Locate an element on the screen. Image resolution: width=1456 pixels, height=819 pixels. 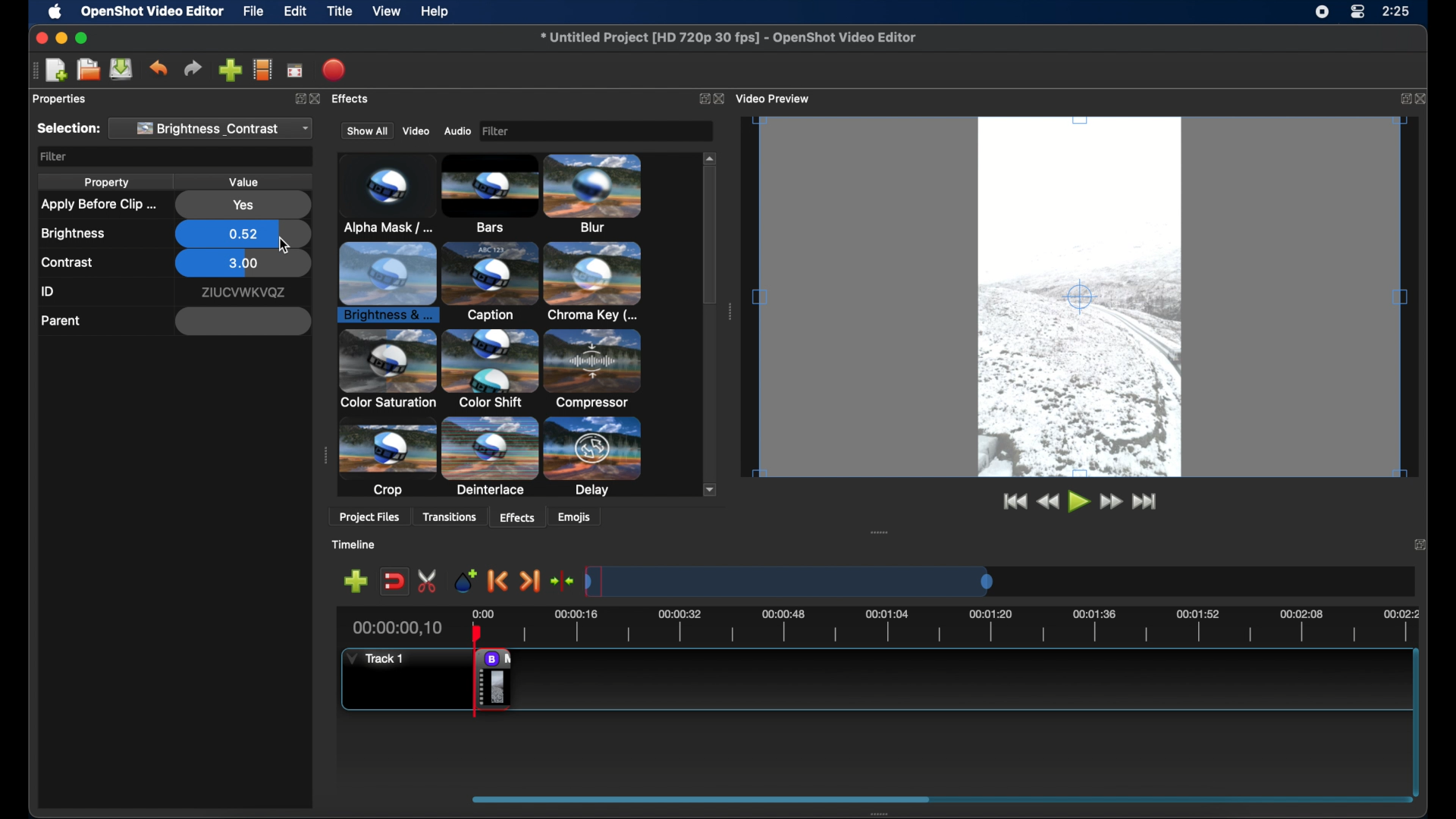
apply before clip is located at coordinates (97, 205).